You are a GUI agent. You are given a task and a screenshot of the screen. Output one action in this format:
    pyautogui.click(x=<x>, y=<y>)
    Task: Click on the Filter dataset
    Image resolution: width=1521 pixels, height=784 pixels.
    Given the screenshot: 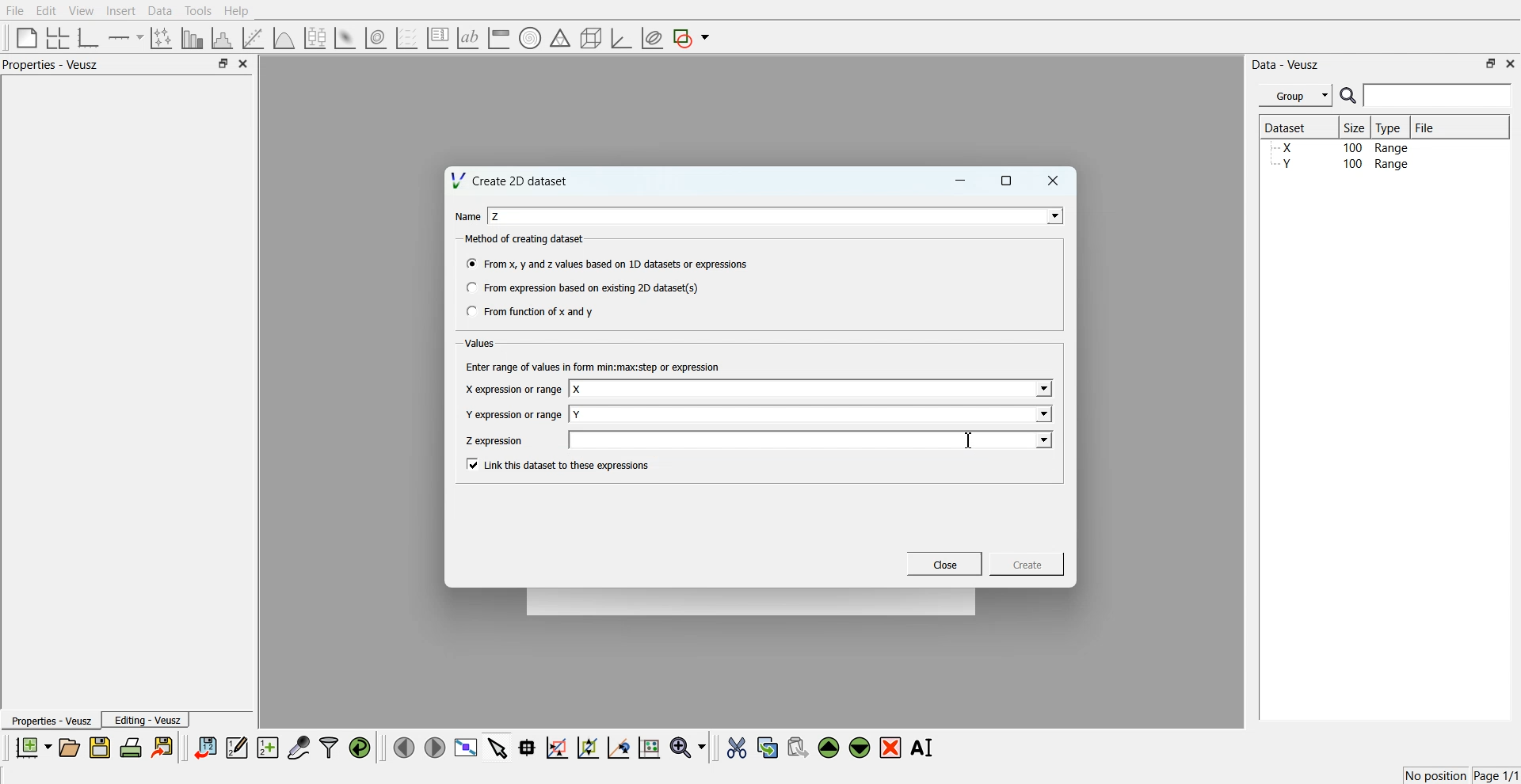 What is the action you would take?
    pyautogui.click(x=329, y=747)
    